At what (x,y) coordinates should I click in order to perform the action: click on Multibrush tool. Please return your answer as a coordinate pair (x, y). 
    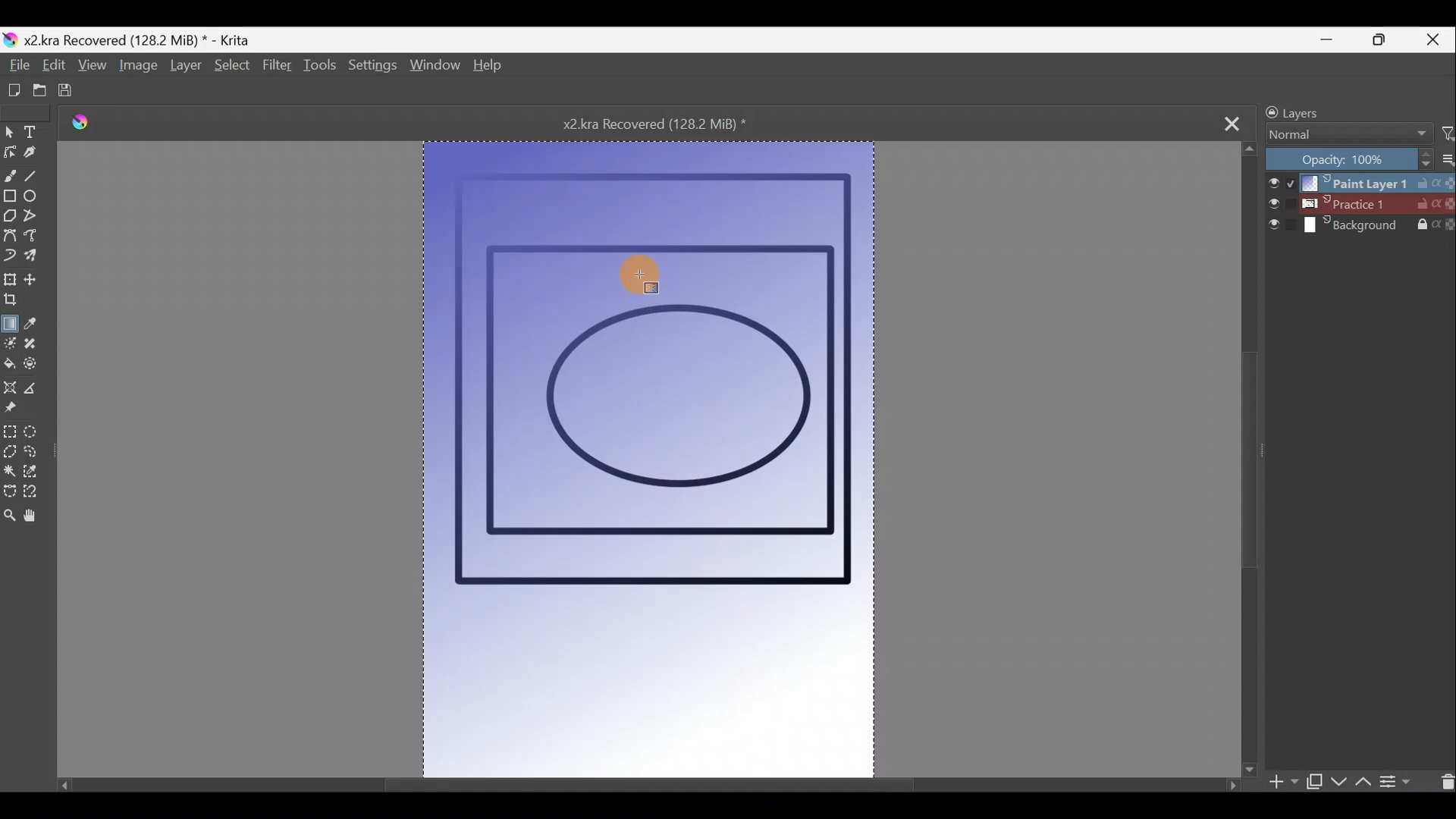
    Looking at the image, I should click on (36, 257).